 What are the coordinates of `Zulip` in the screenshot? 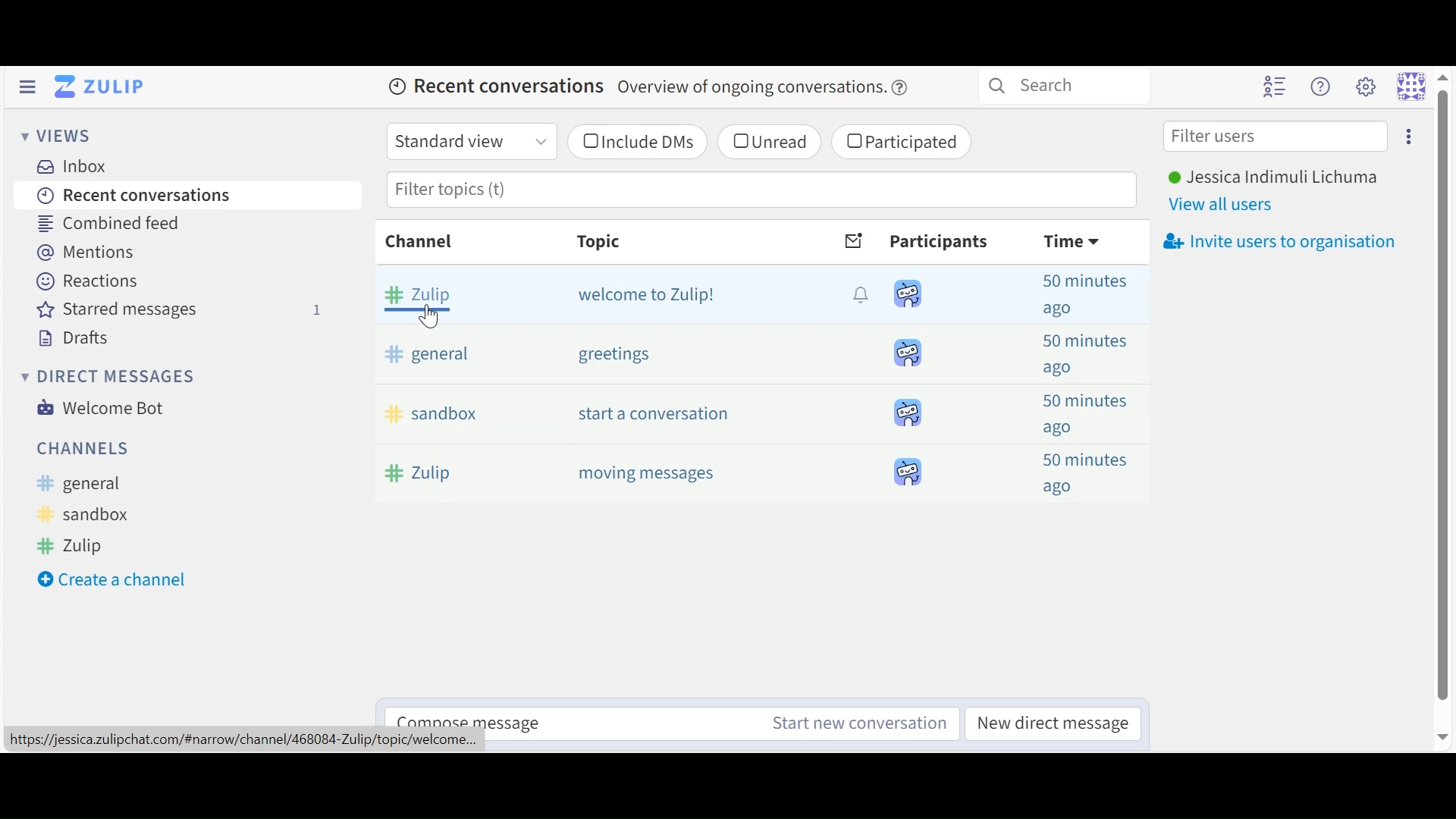 It's located at (74, 547).